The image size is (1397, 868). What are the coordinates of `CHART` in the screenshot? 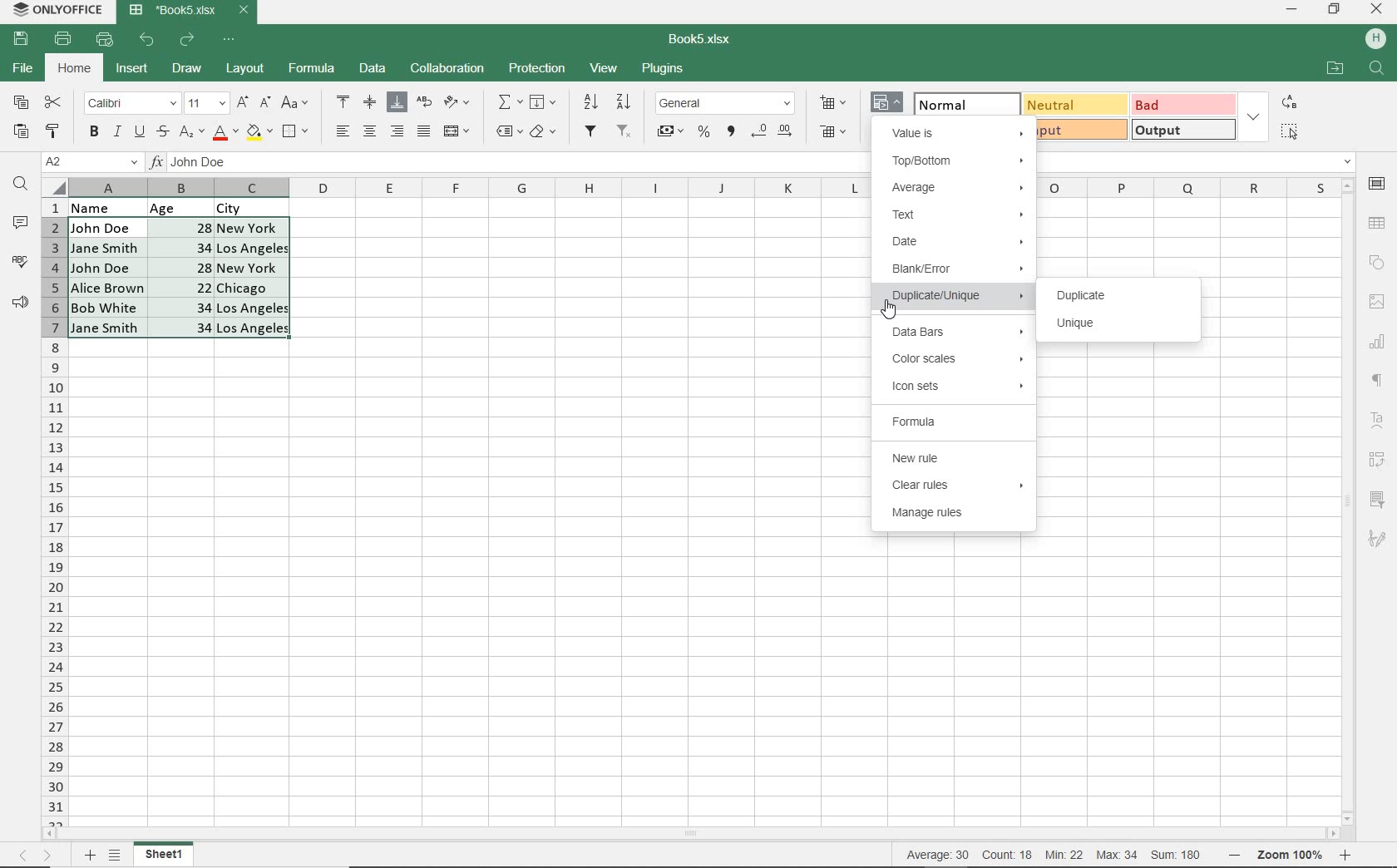 It's located at (1378, 341).